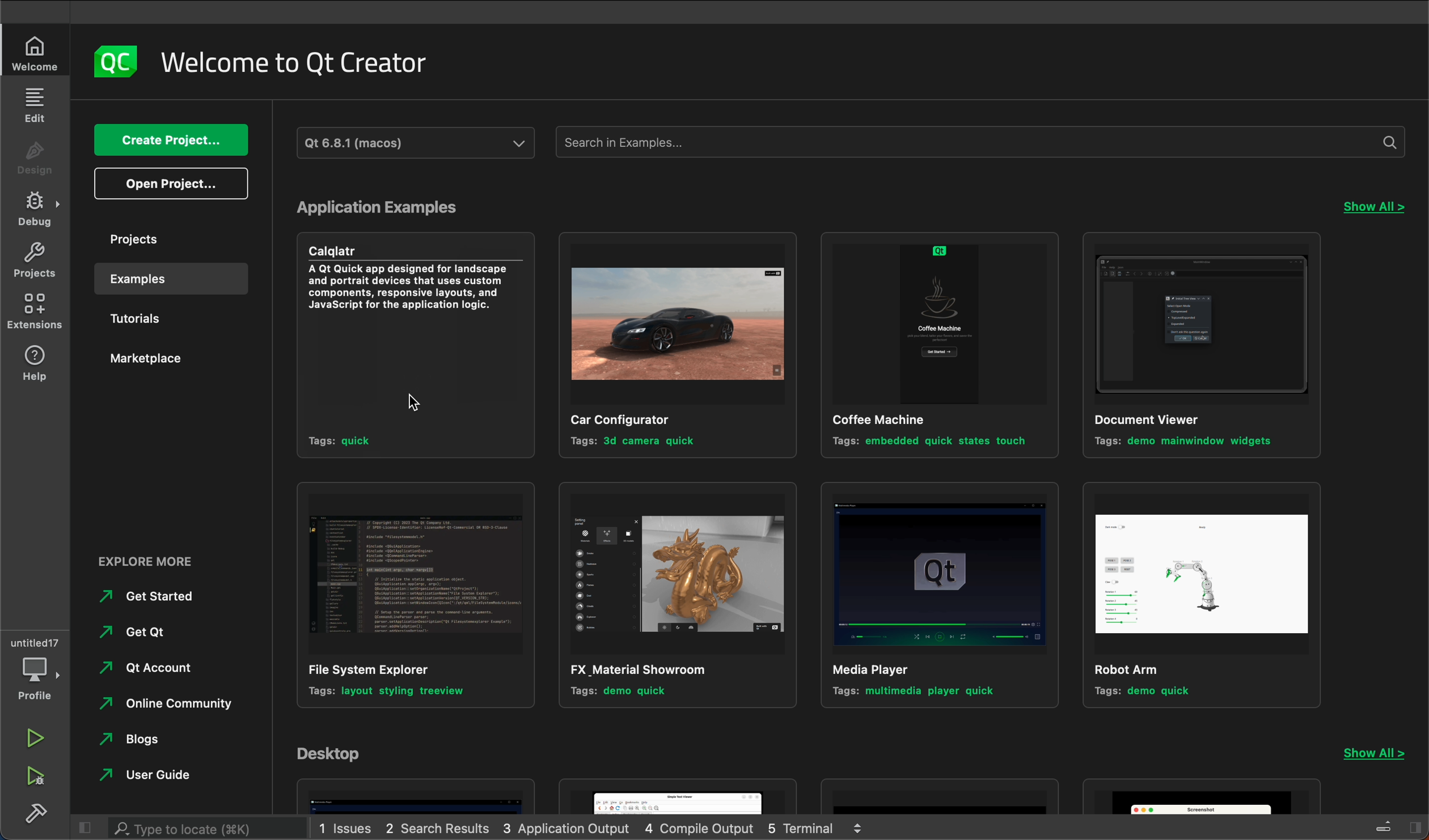  I want to click on projects, so click(173, 239).